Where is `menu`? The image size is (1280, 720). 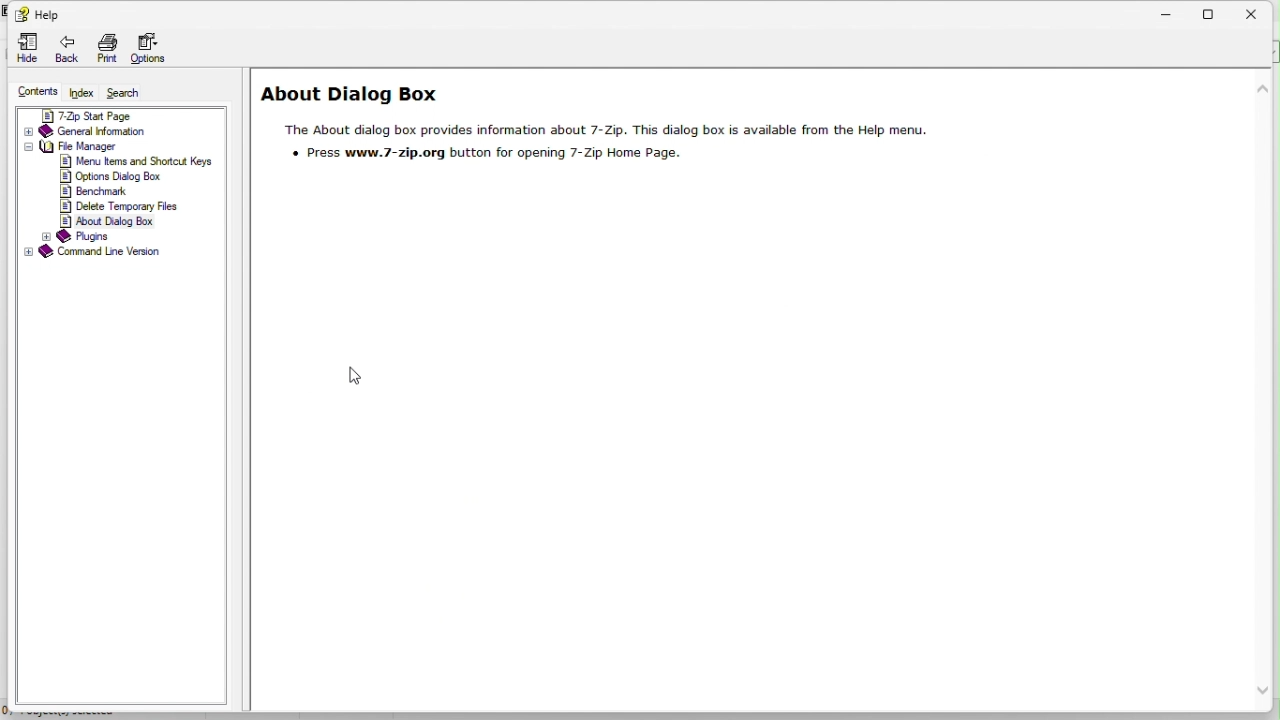
menu is located at coordinates (135, 160).